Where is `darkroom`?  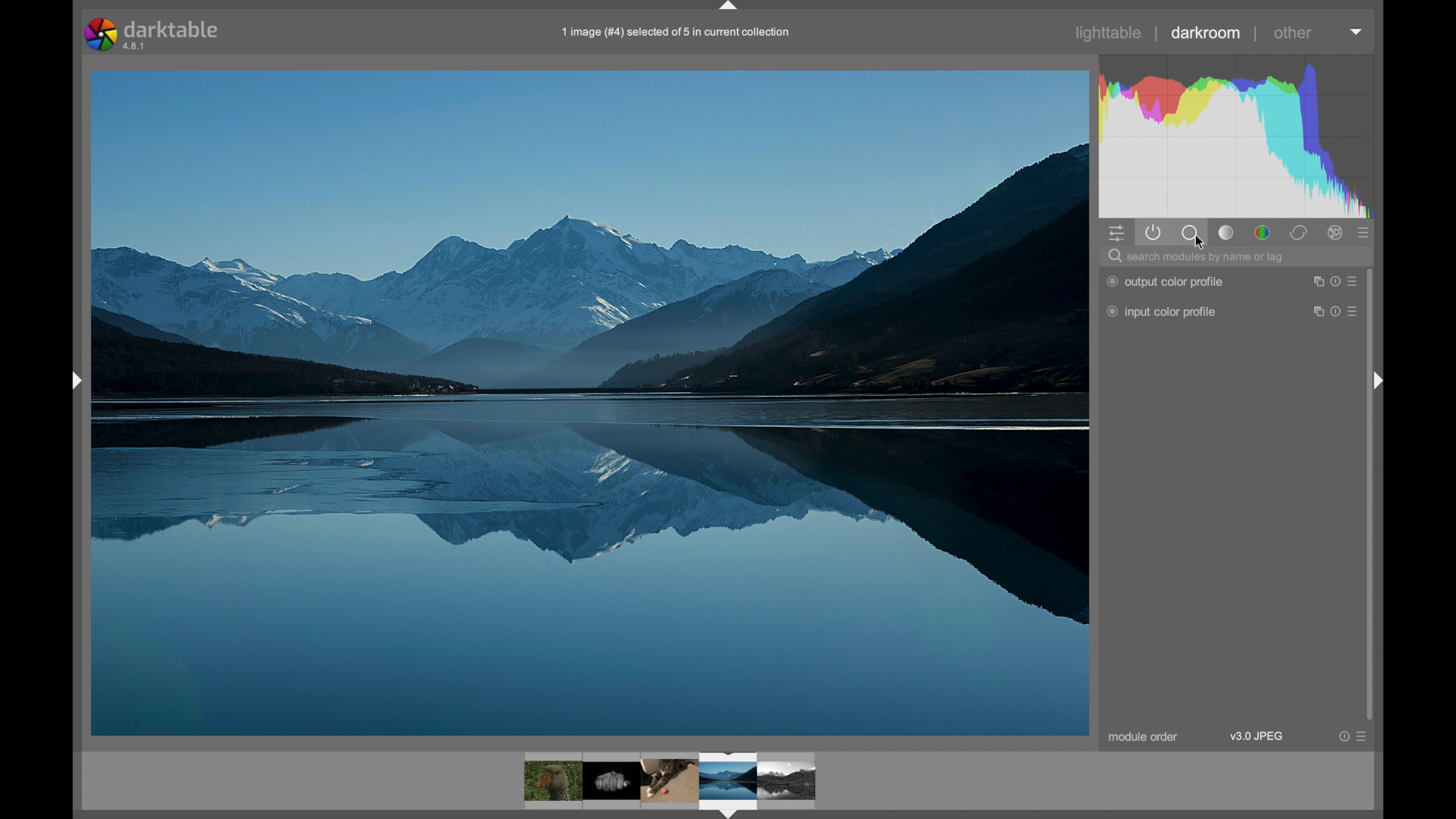 darkroom is located at coordinates (1205, 33).